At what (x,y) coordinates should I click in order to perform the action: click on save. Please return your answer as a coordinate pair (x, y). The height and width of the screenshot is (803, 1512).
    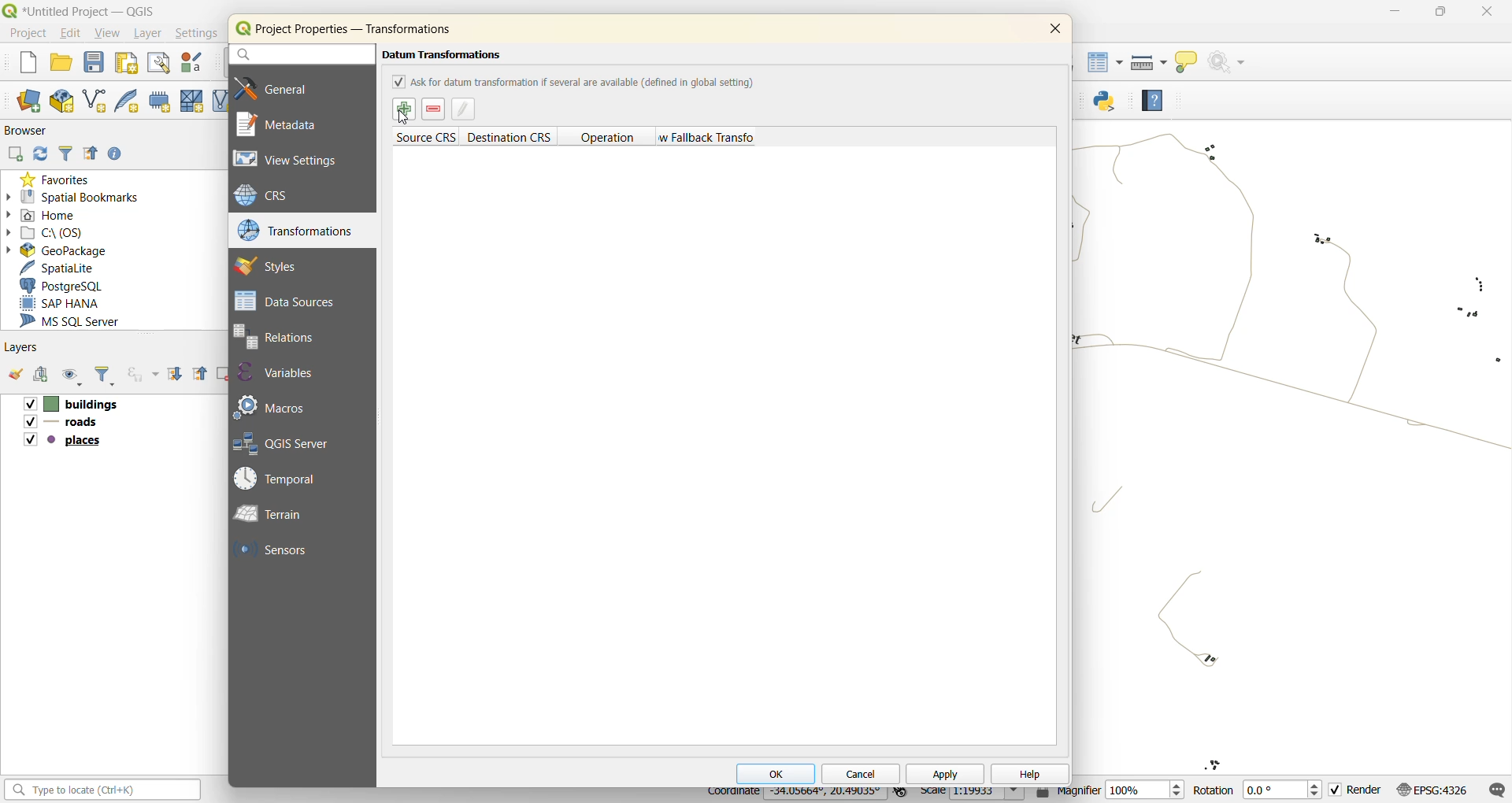
    Looking at the image, I should click on (94, 64).